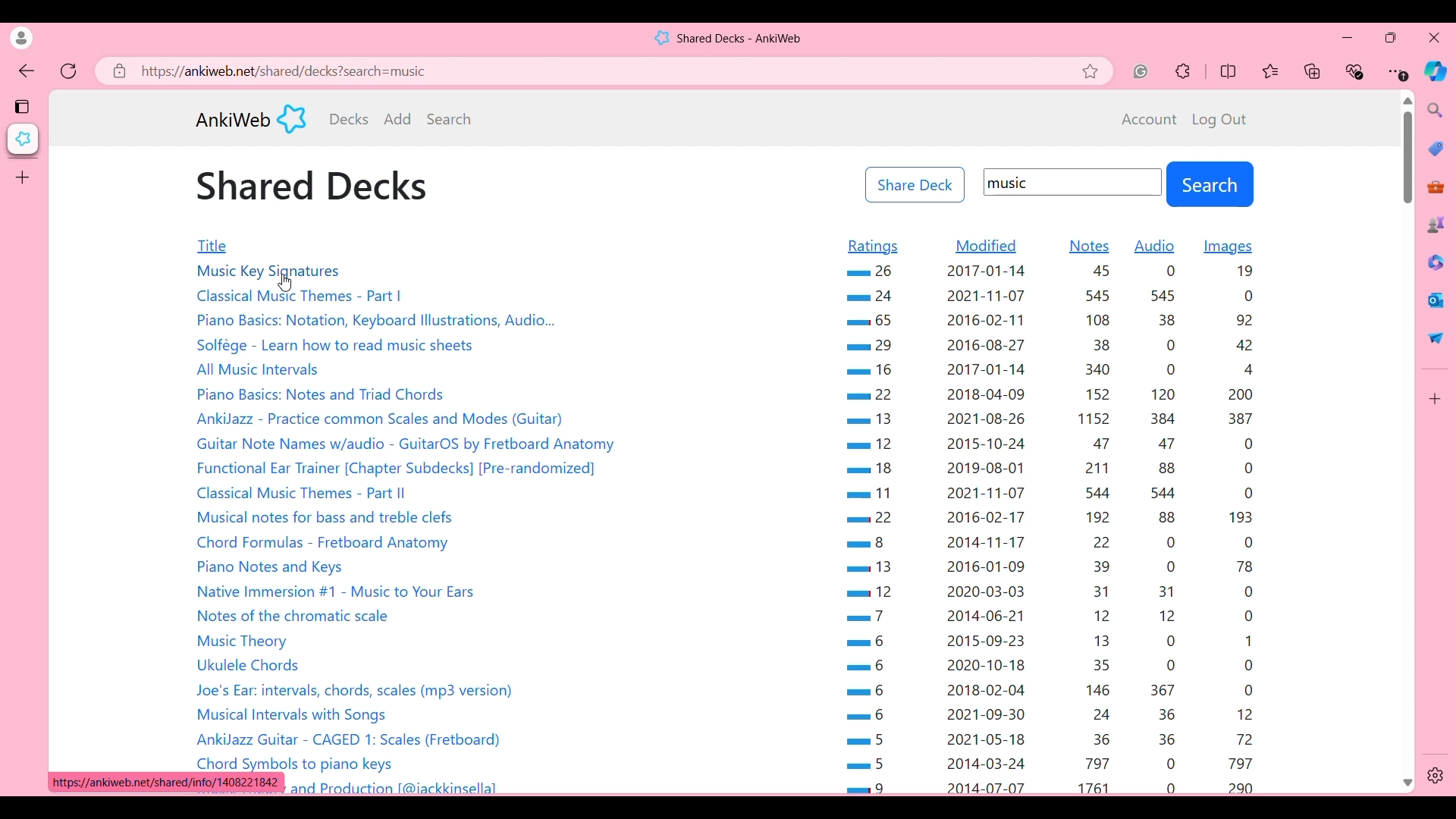 This screenshot has height=819, width=1456. What do you see at coordinates (27, 72) in the screenshot?
I see `Click to go back` at bounding box center [27, 72].